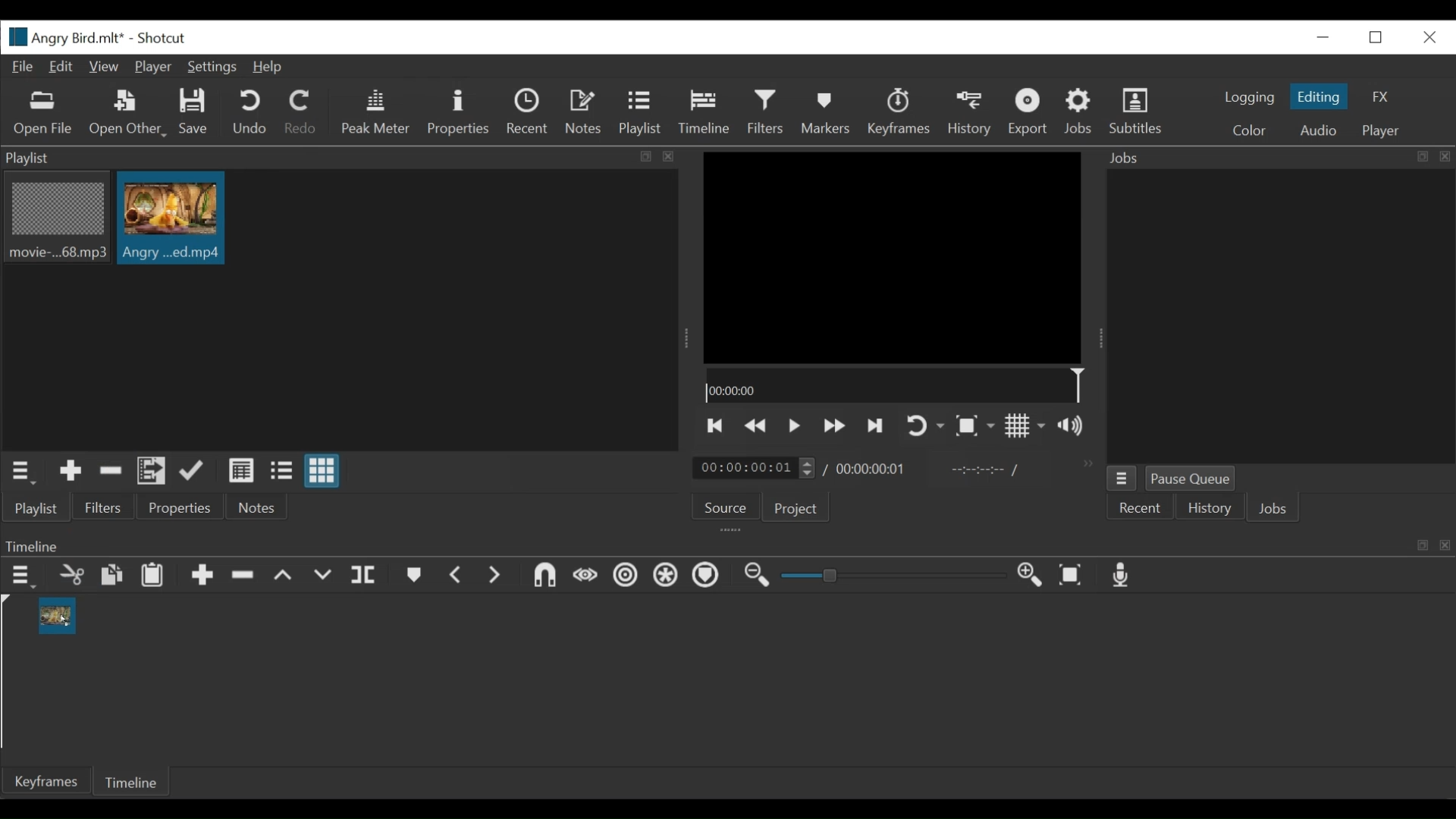  What do you see at coordinates (1073, 576) in the screenshot?
I see `Zoom timeline to fit` at bounding box center [1073, 576].